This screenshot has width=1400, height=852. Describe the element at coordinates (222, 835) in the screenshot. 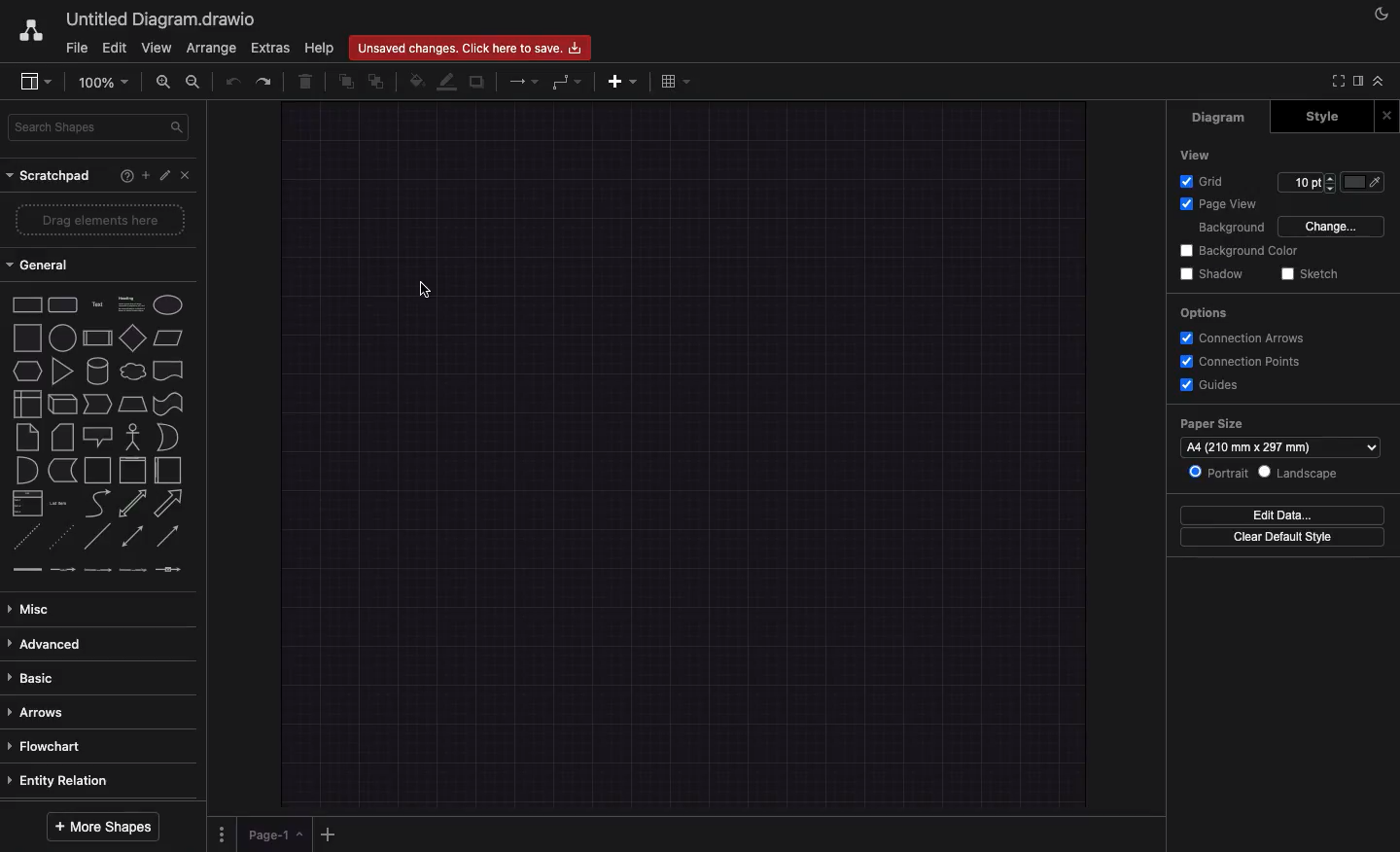

I see `Options` at that location.